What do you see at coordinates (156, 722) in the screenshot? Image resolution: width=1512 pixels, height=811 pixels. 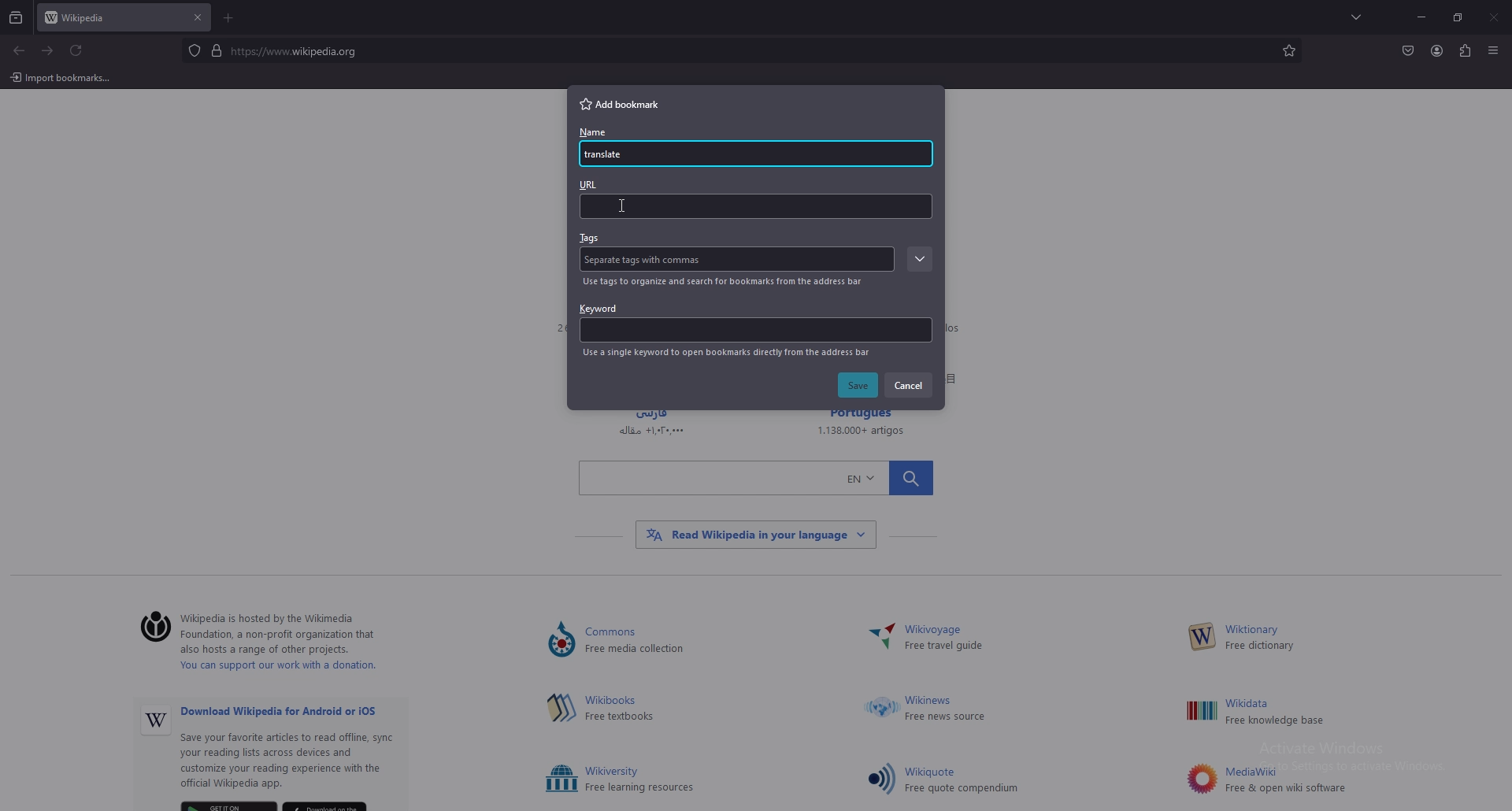 I see `` at bounding box center [156, 722].